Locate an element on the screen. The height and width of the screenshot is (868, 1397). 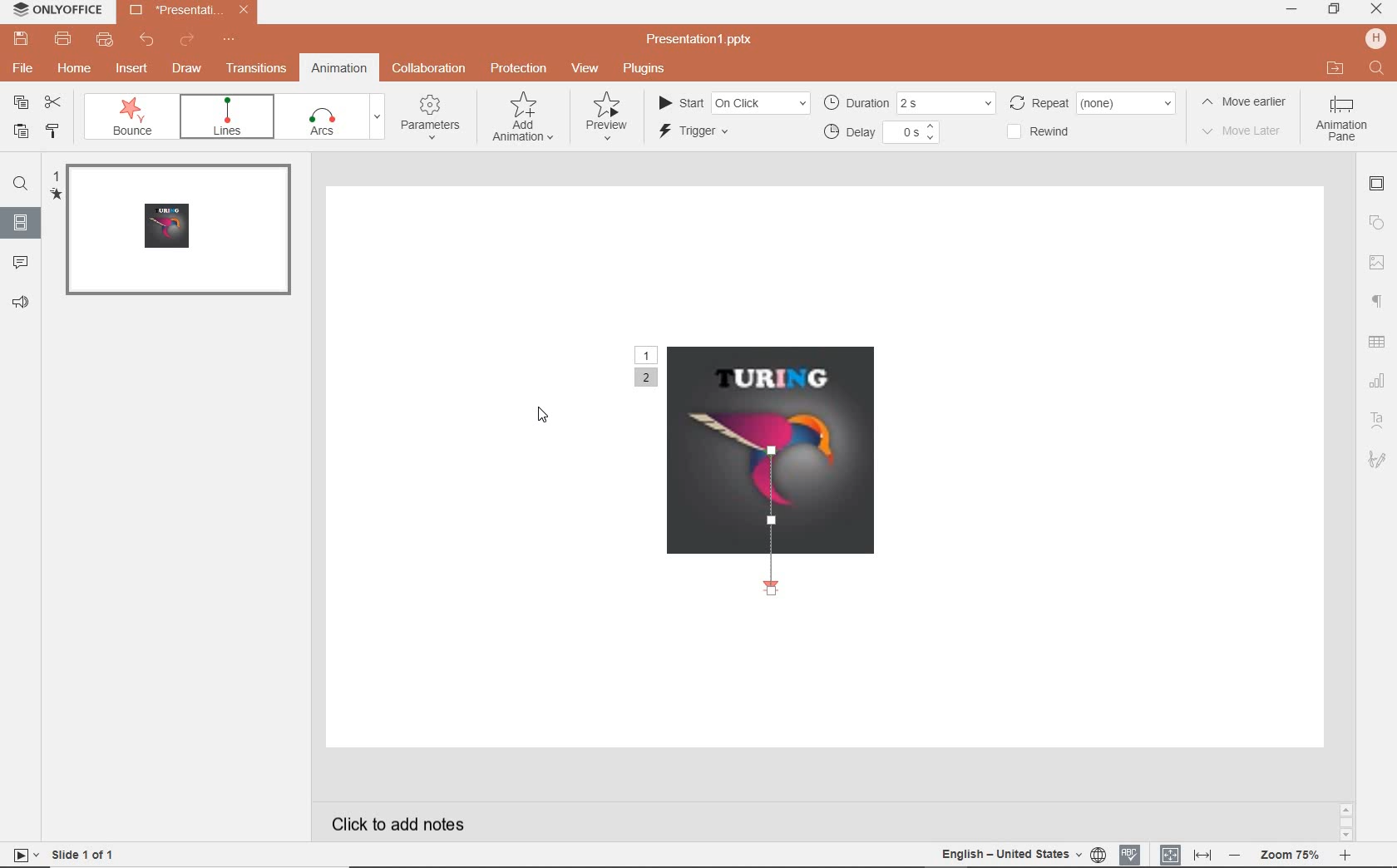
cursor is located at coordinates (544, 416).